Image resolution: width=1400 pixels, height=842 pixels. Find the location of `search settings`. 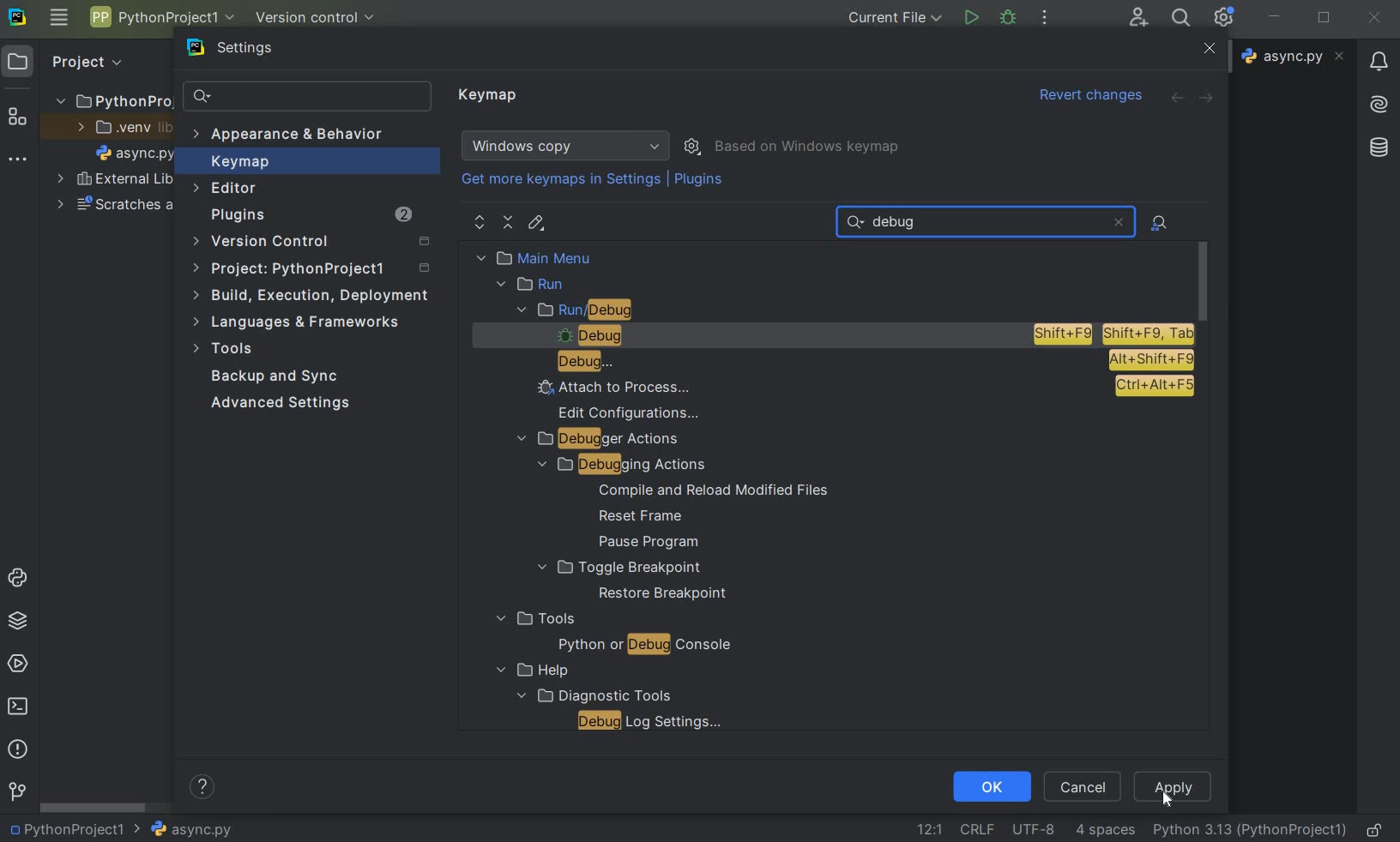

search settings is located at coordinates (308, 97).